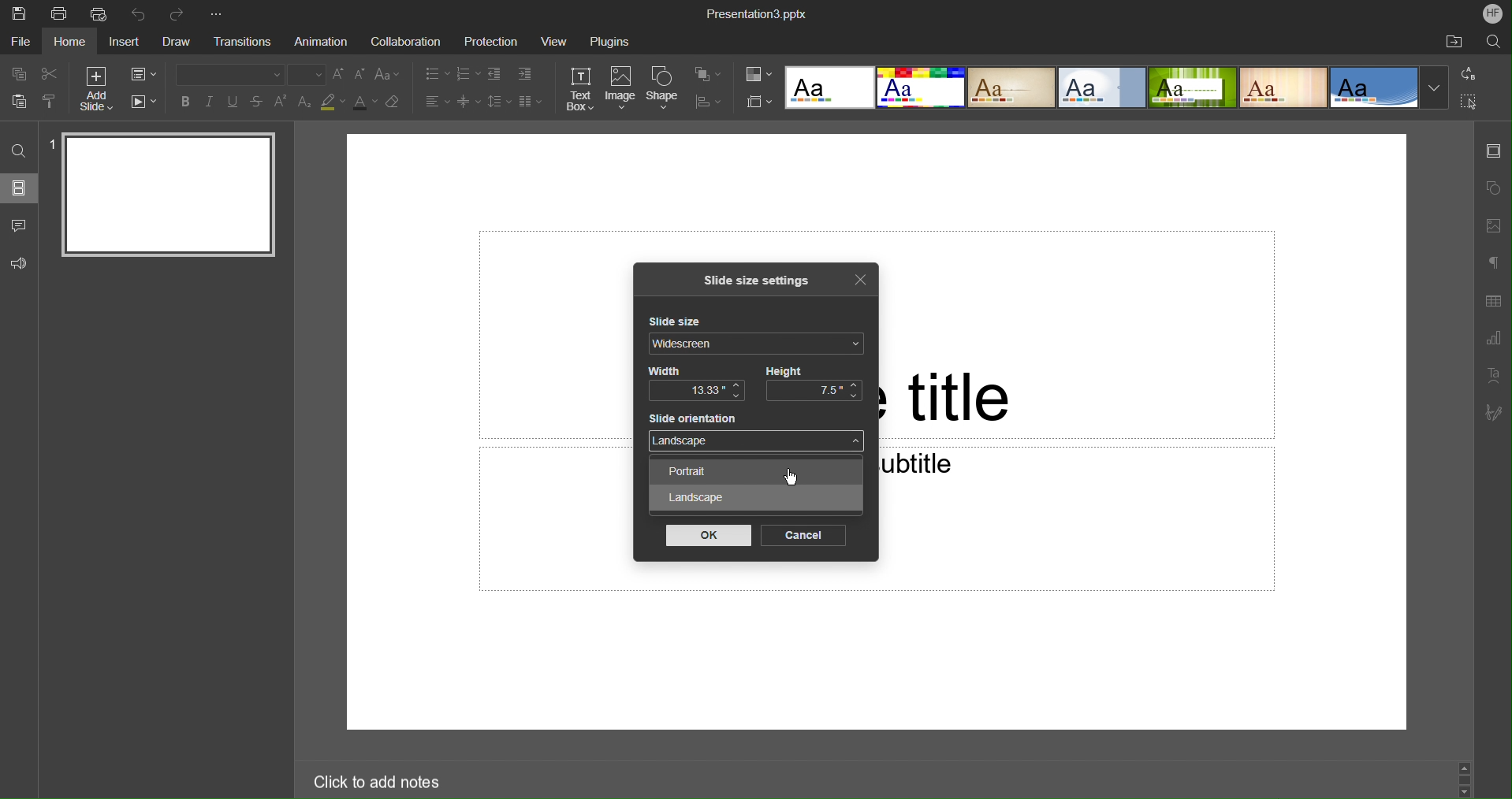  What do you see at coordinates (1493, 376) in the screenshot?
I see `Text Art` at bounding box center [1493, 376].